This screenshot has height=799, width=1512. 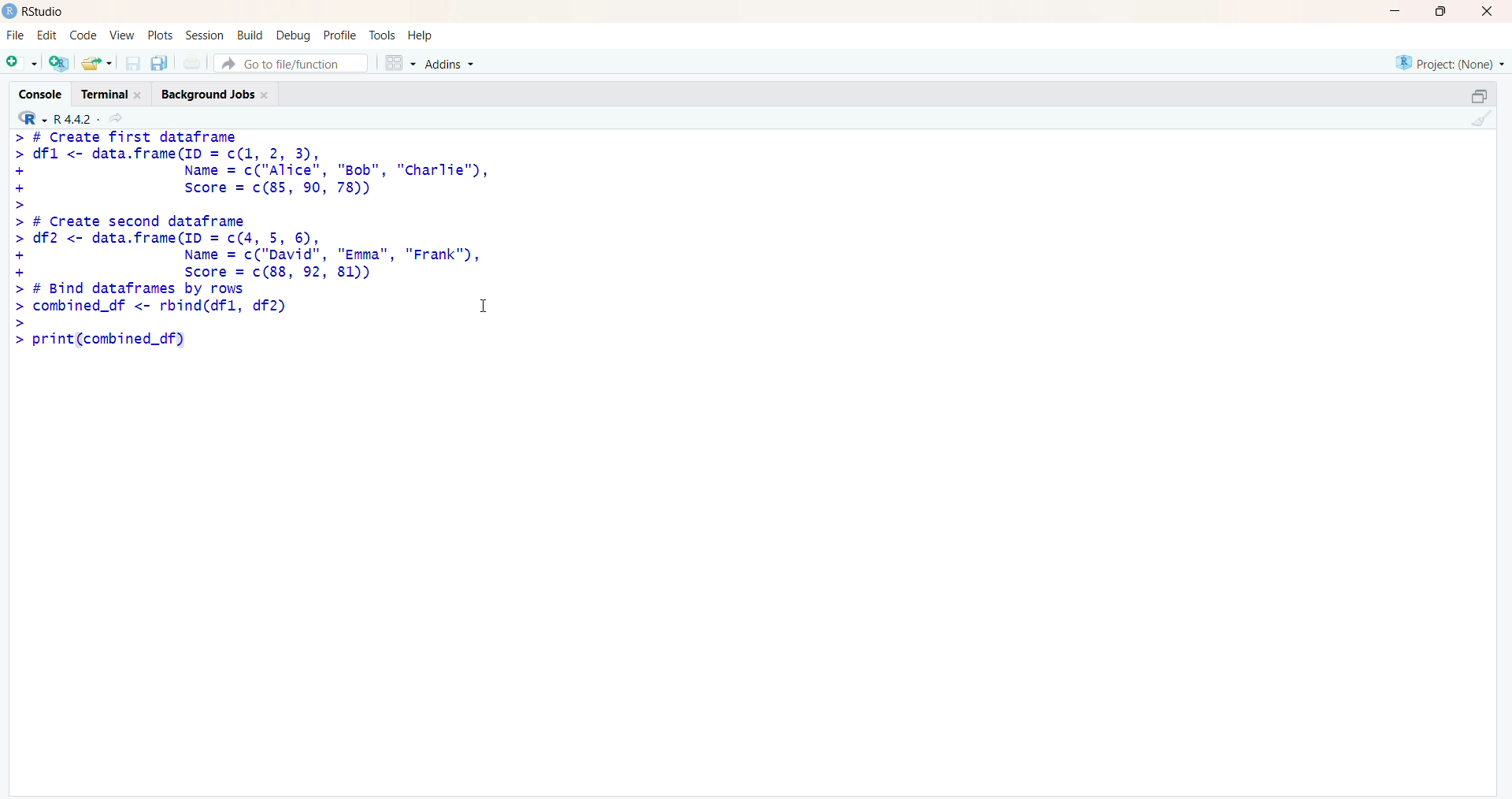 What do you see at coordinates (217, 92) in the screenshot?
I see `Background Jobs` at bounding box center [217, 92].